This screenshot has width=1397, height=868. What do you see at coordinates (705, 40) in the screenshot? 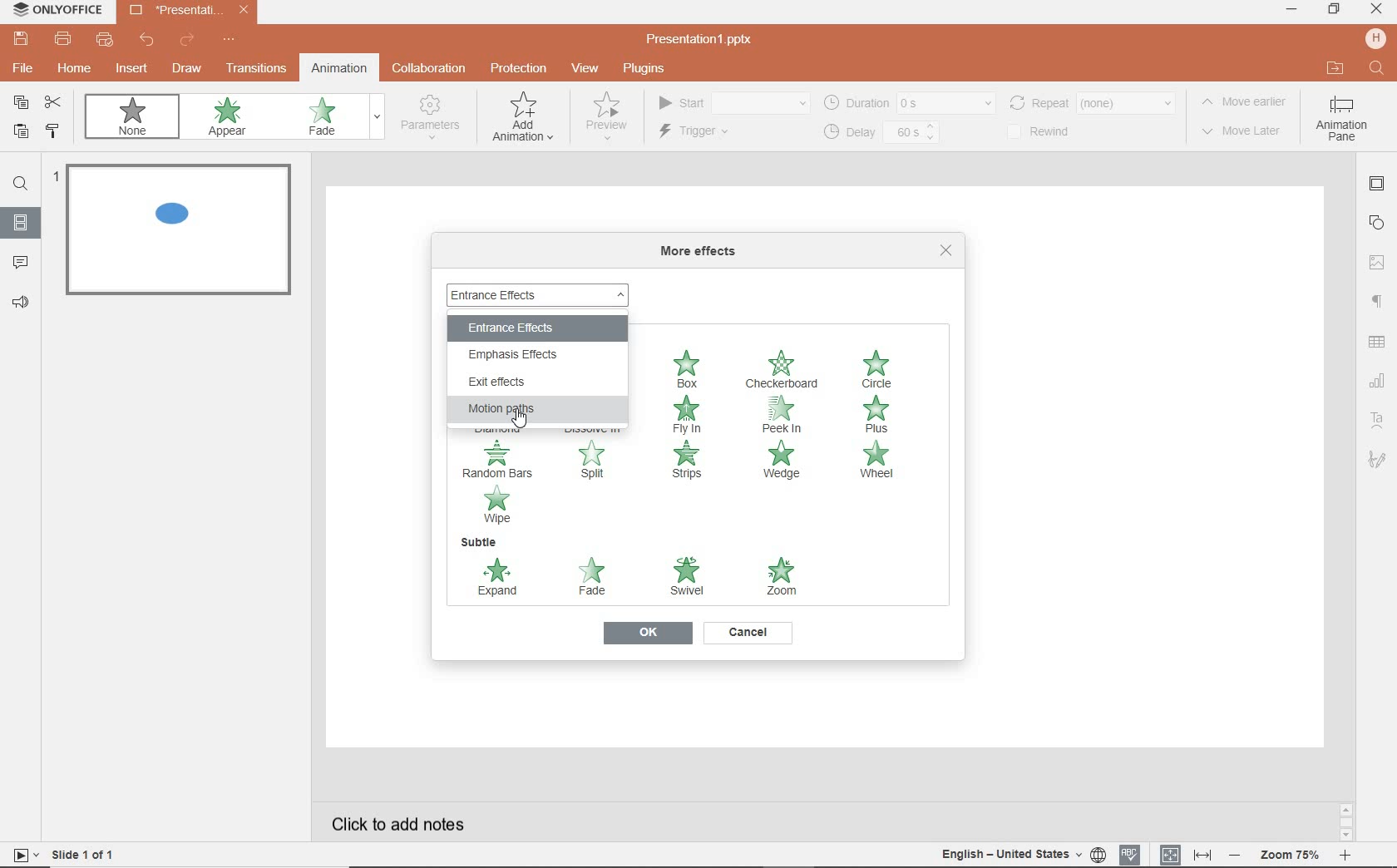
I see `file name` at bounding box center [705, 40].